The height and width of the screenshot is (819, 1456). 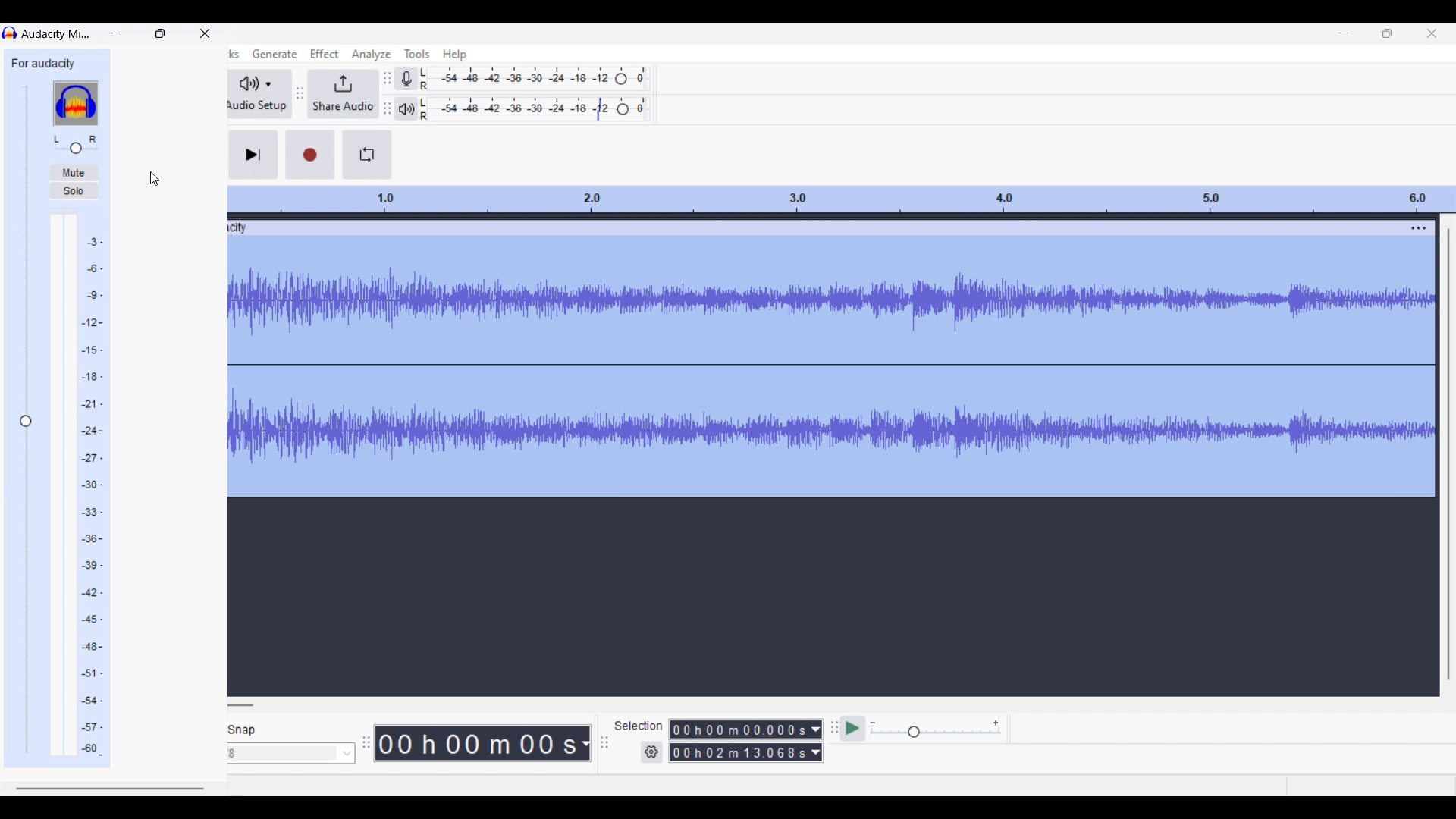 What do you see at coordinates (1344, 33) in the screenshot?
I see `Minimize` at bounding box center [1344, 33].